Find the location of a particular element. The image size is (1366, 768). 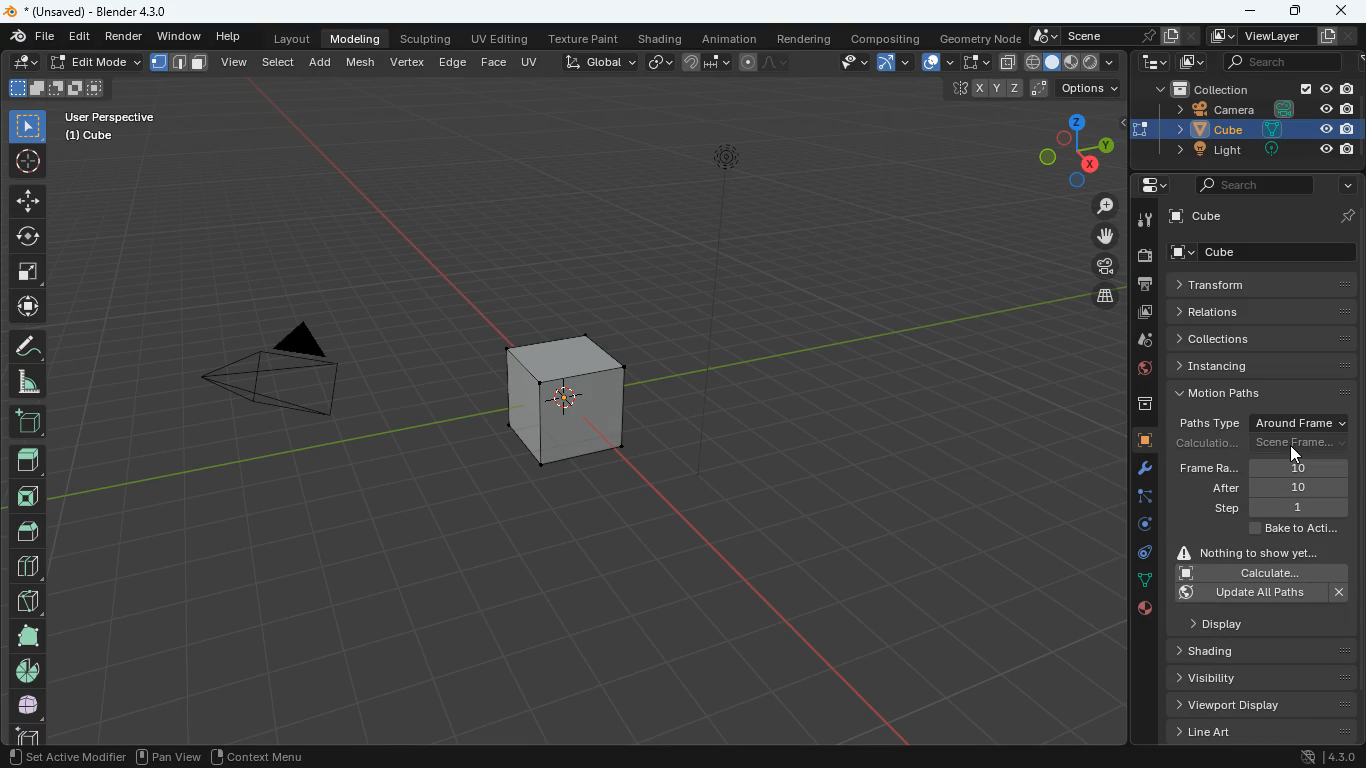

edge is located at coordinates (1141, 502).